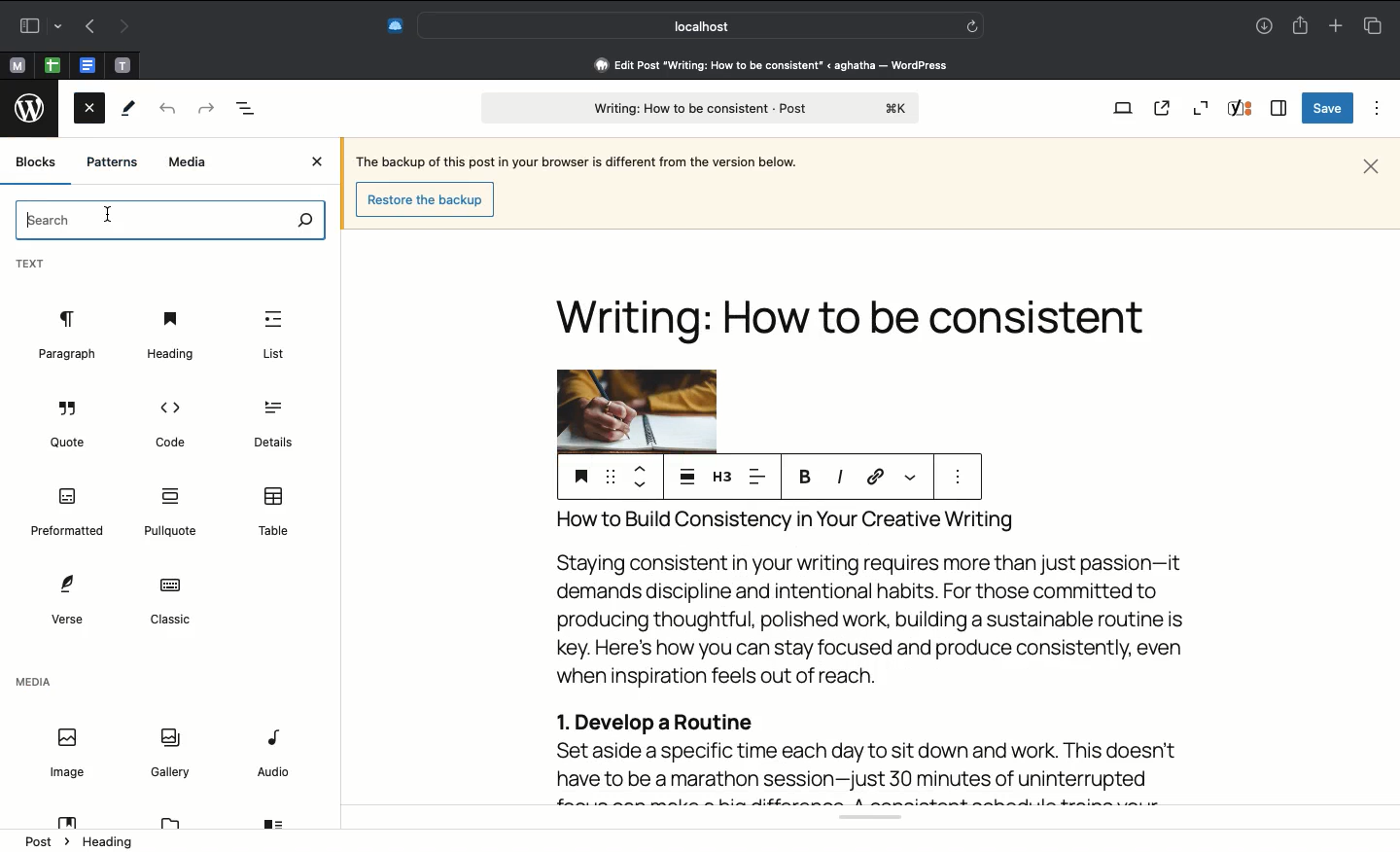  What do you see at coordinates (33, 107) in the screenshot?
I see `Wordpress` at bounding box center [33, 107].